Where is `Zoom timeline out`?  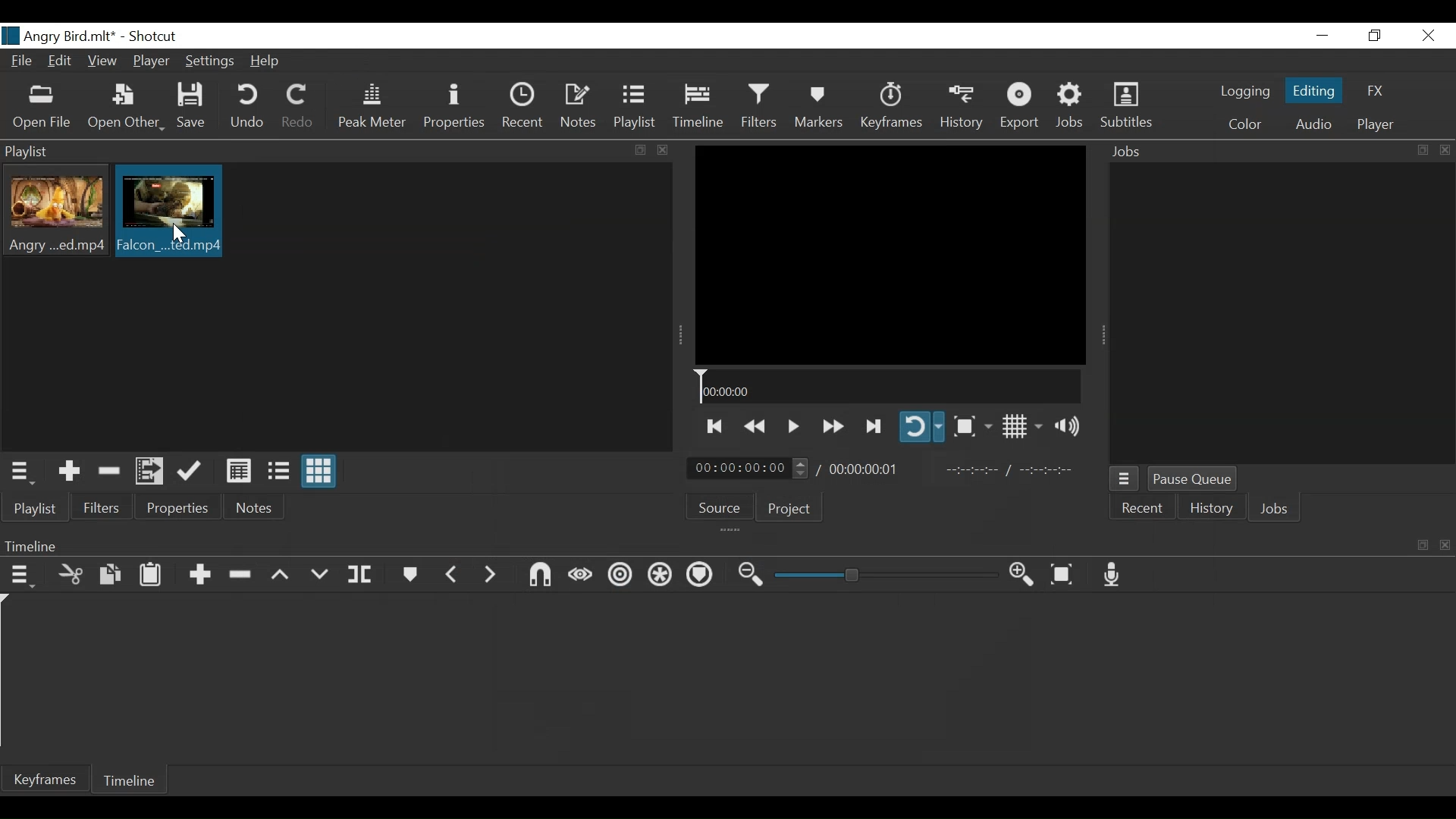
Zoom timeline out is located at coordinates (753, 575).